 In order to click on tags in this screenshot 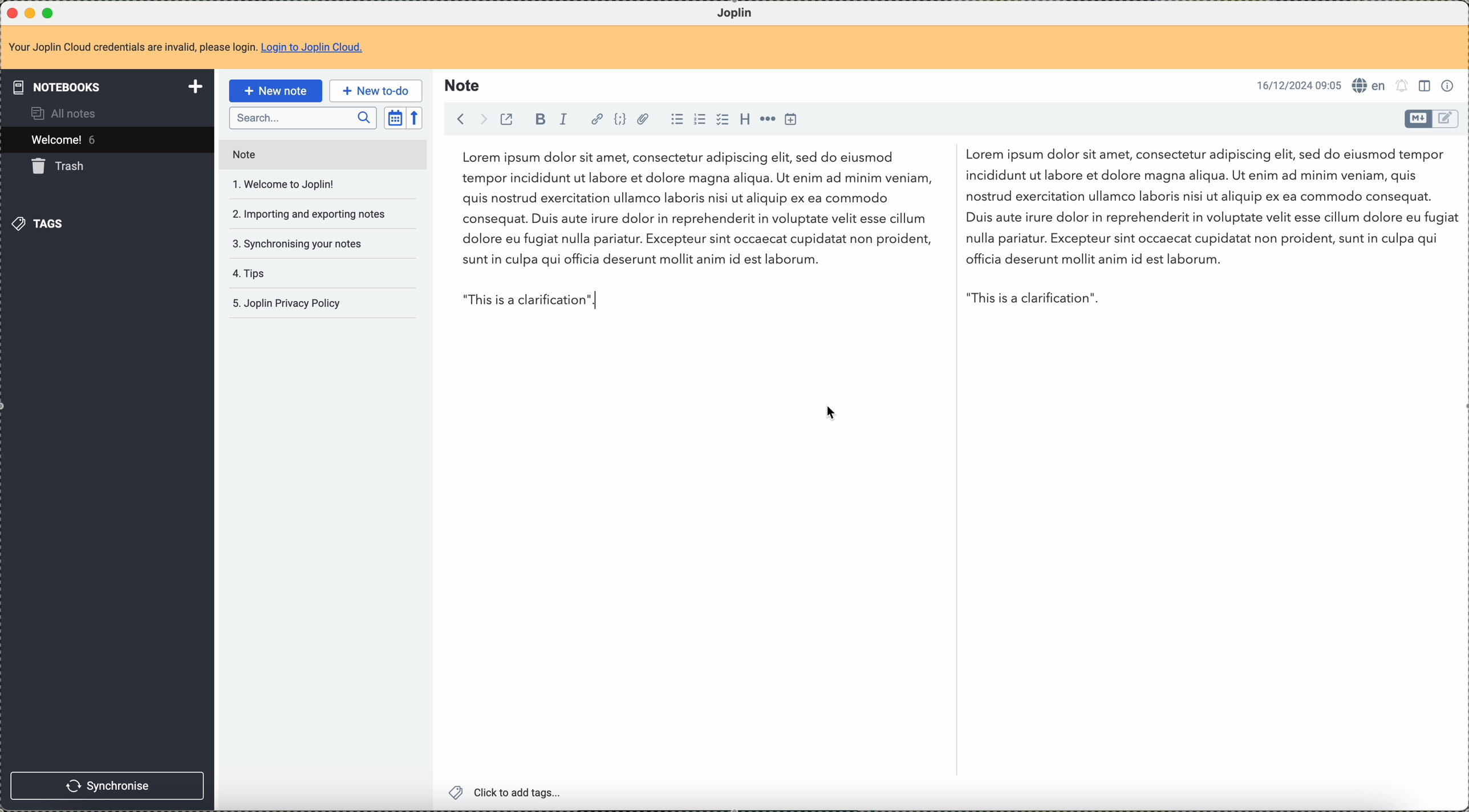, I will do `click(40, 224)`.